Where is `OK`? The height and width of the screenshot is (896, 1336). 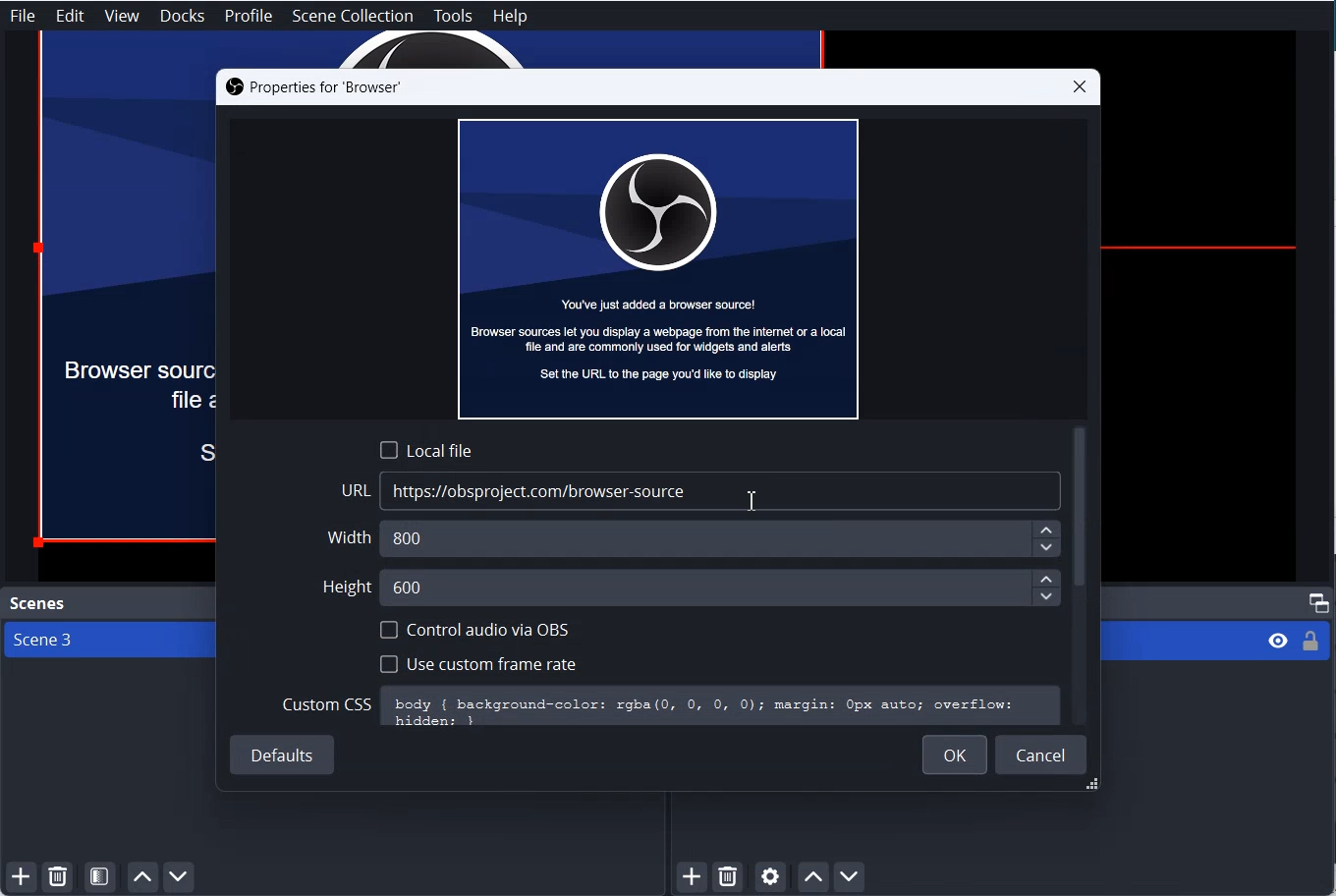 OK is located at coordinates (955, 755).